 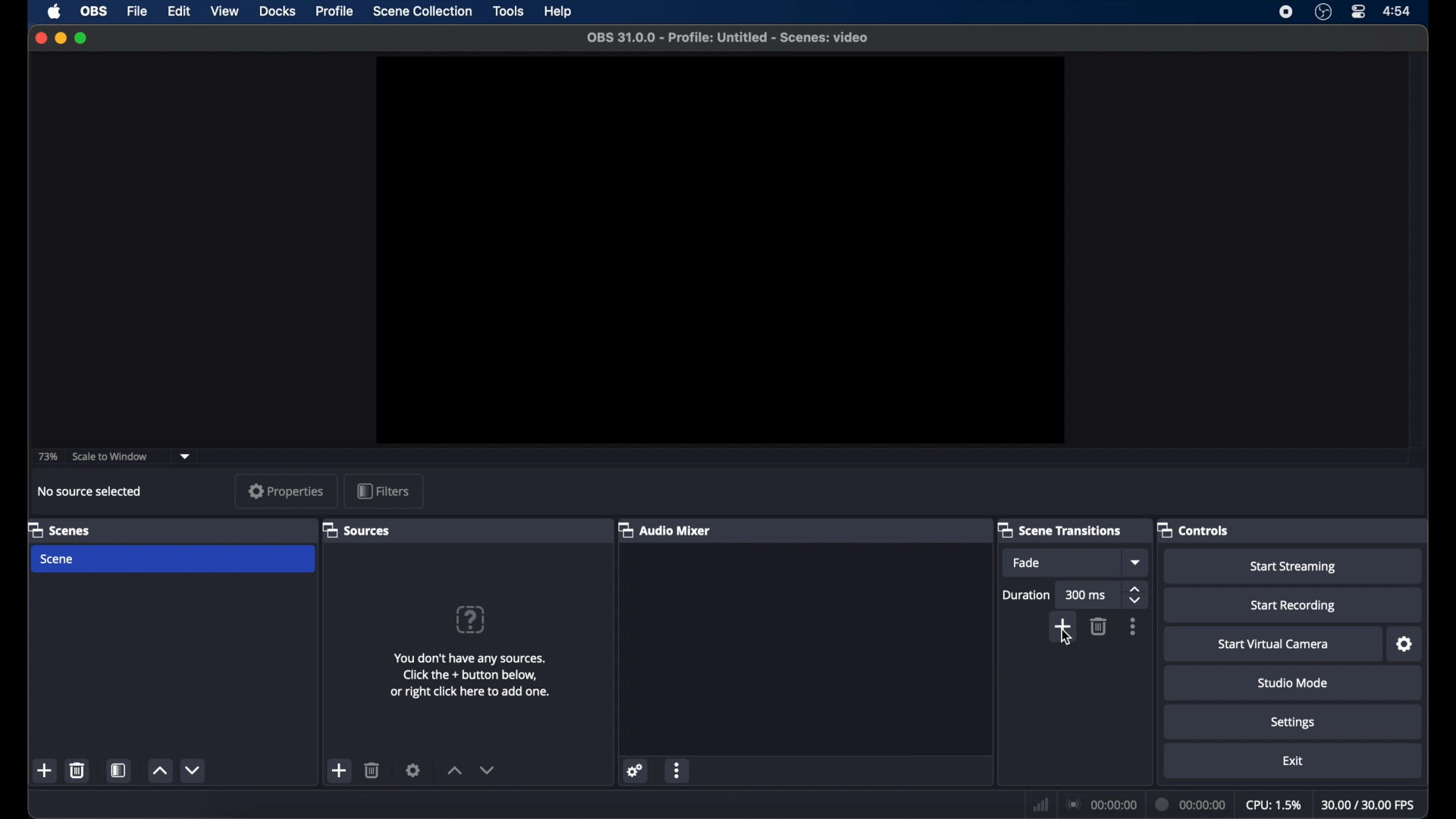 I want to click on dropdown, so click(x=1137, y=562).